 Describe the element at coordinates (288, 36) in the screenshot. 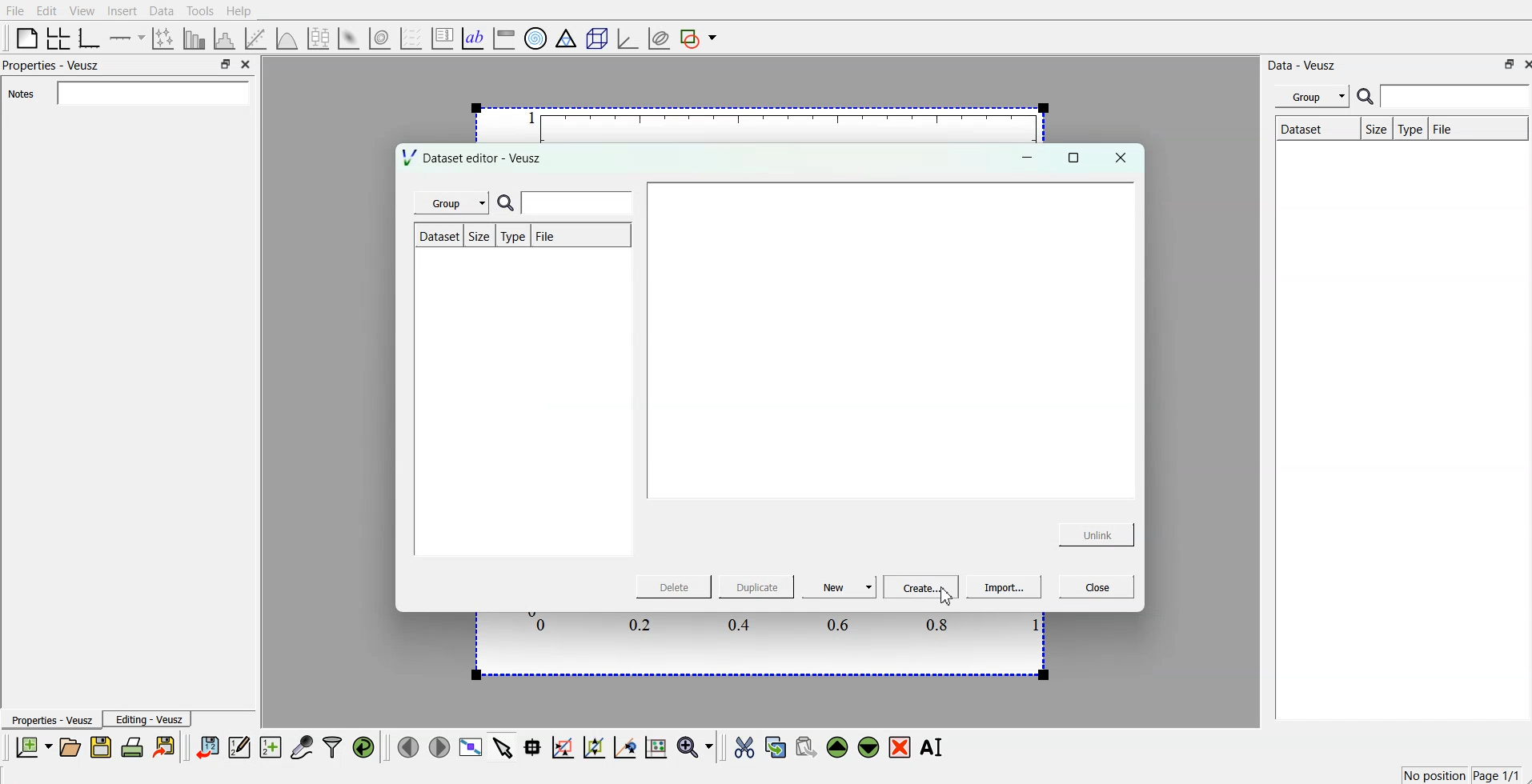

I see `plot a function` at that location.